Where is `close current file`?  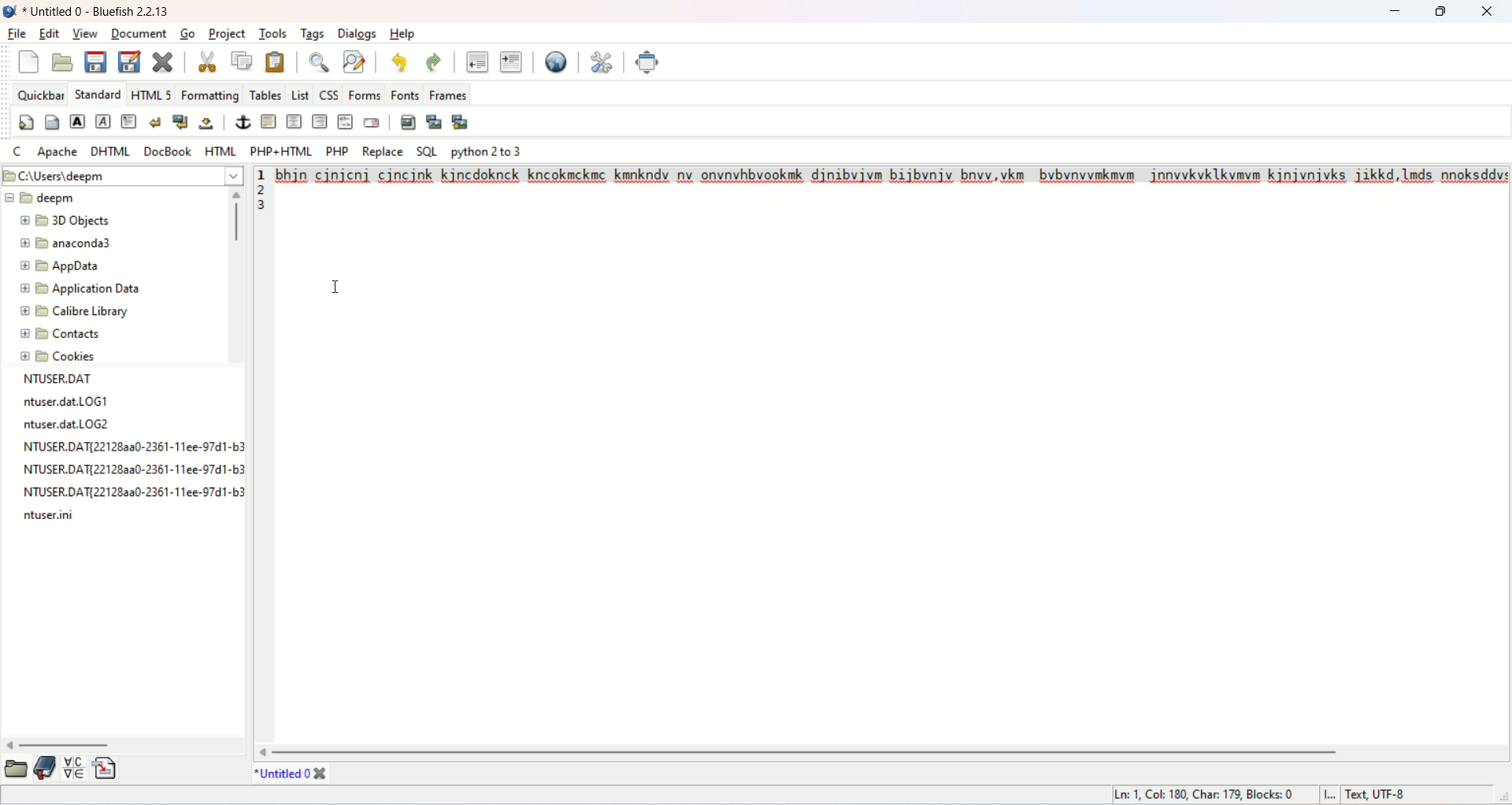 close current file is located at coordinates (165, 62).